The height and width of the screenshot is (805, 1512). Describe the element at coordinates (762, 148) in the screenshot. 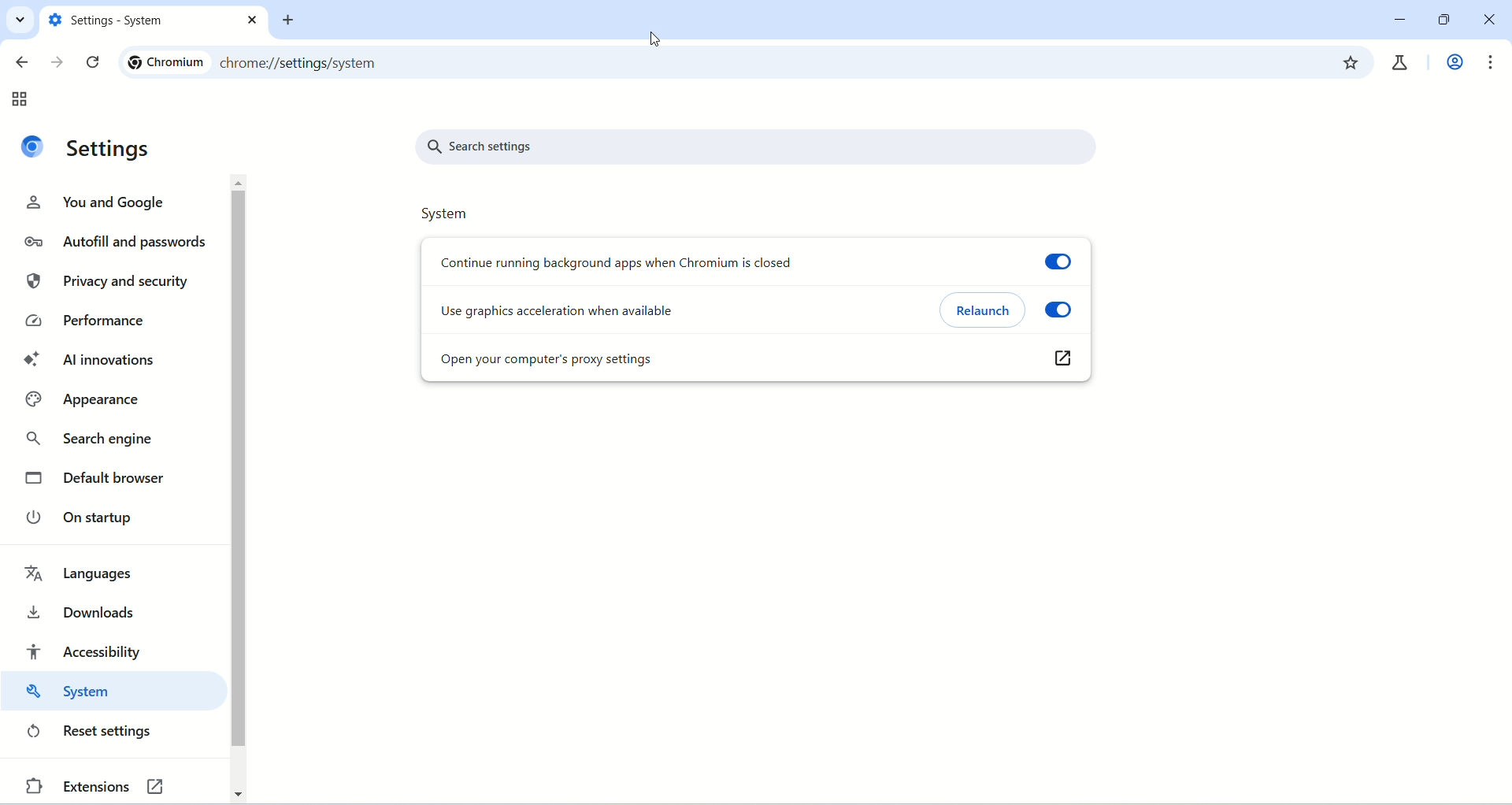

I see `search settings` at that location.